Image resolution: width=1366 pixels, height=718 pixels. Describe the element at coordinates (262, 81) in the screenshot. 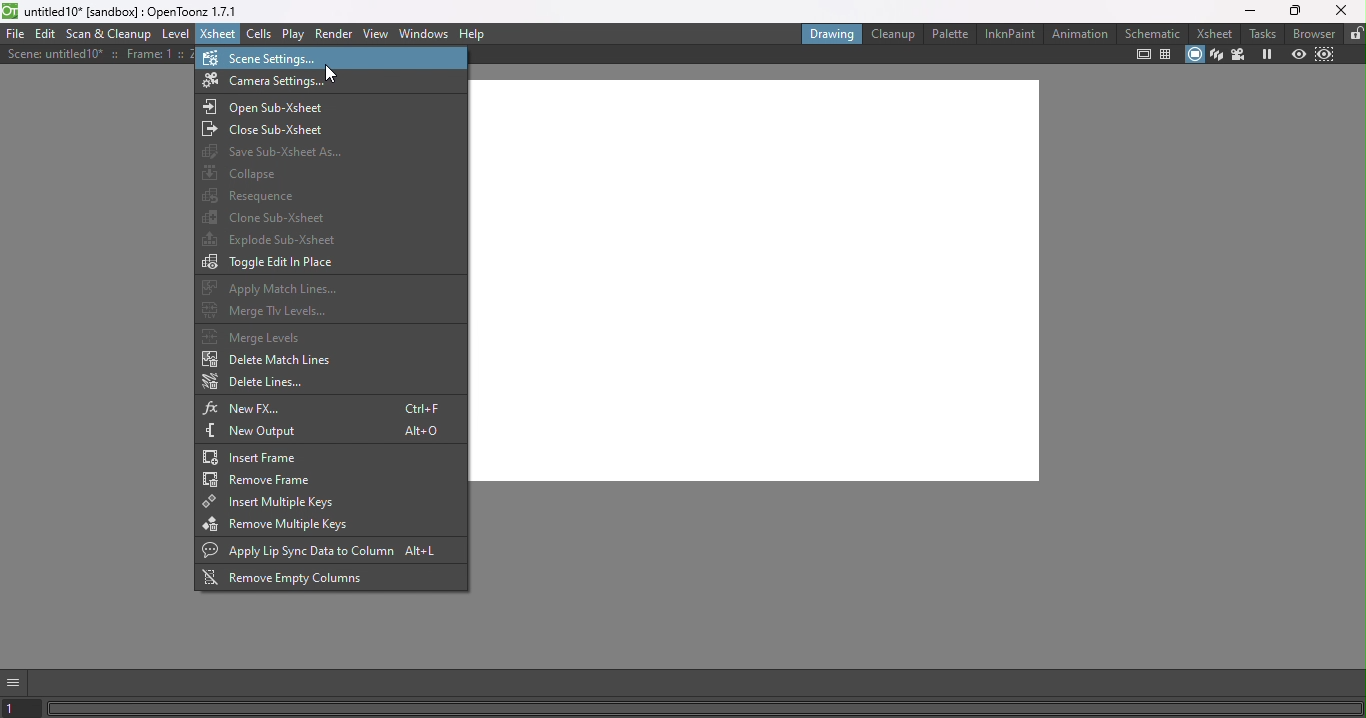

I see `Camera settings` at that location.